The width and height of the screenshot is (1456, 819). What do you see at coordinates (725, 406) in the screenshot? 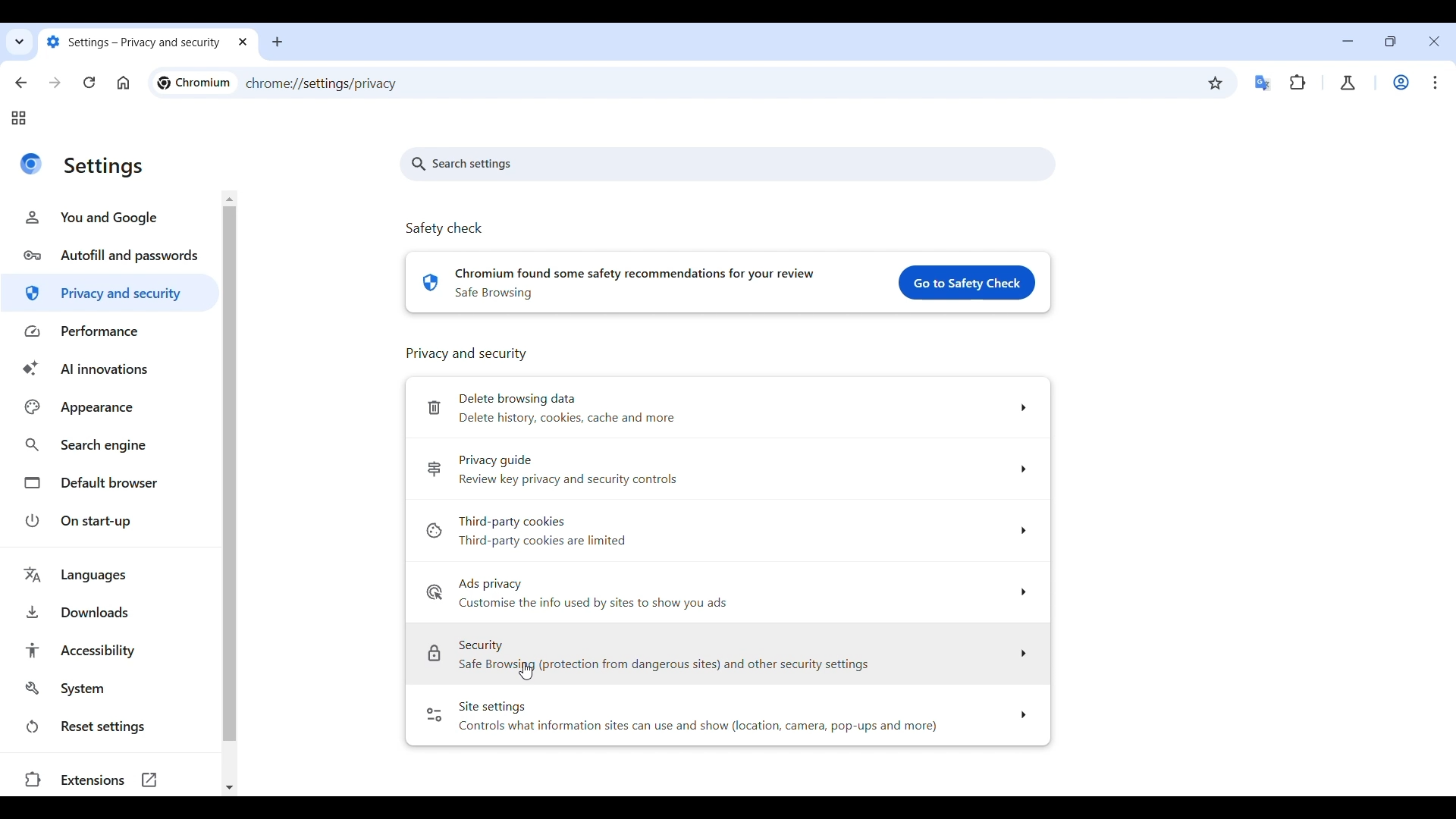
I see `[Delete browsing data Delete history, cookies, cache and more` at bounding box center [725, 406].